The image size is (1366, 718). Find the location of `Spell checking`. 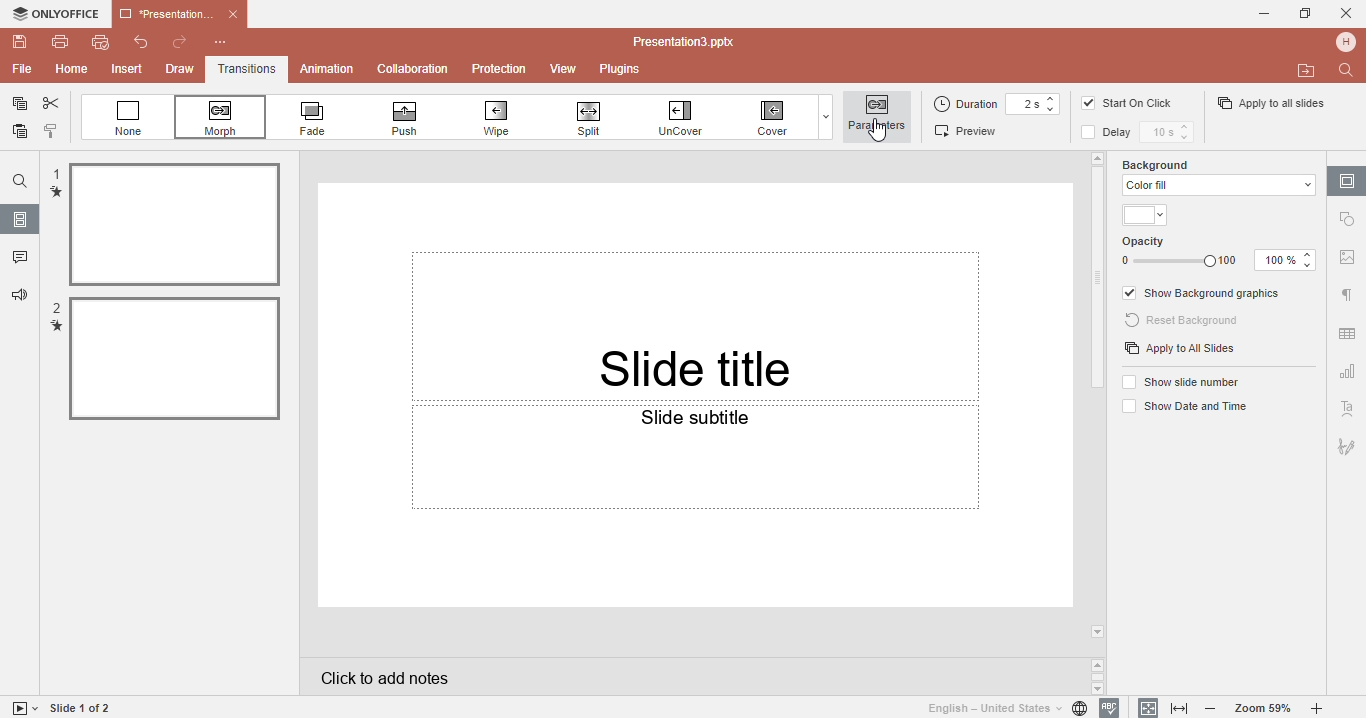

Spell checking is located at coordinates (1110, 708).